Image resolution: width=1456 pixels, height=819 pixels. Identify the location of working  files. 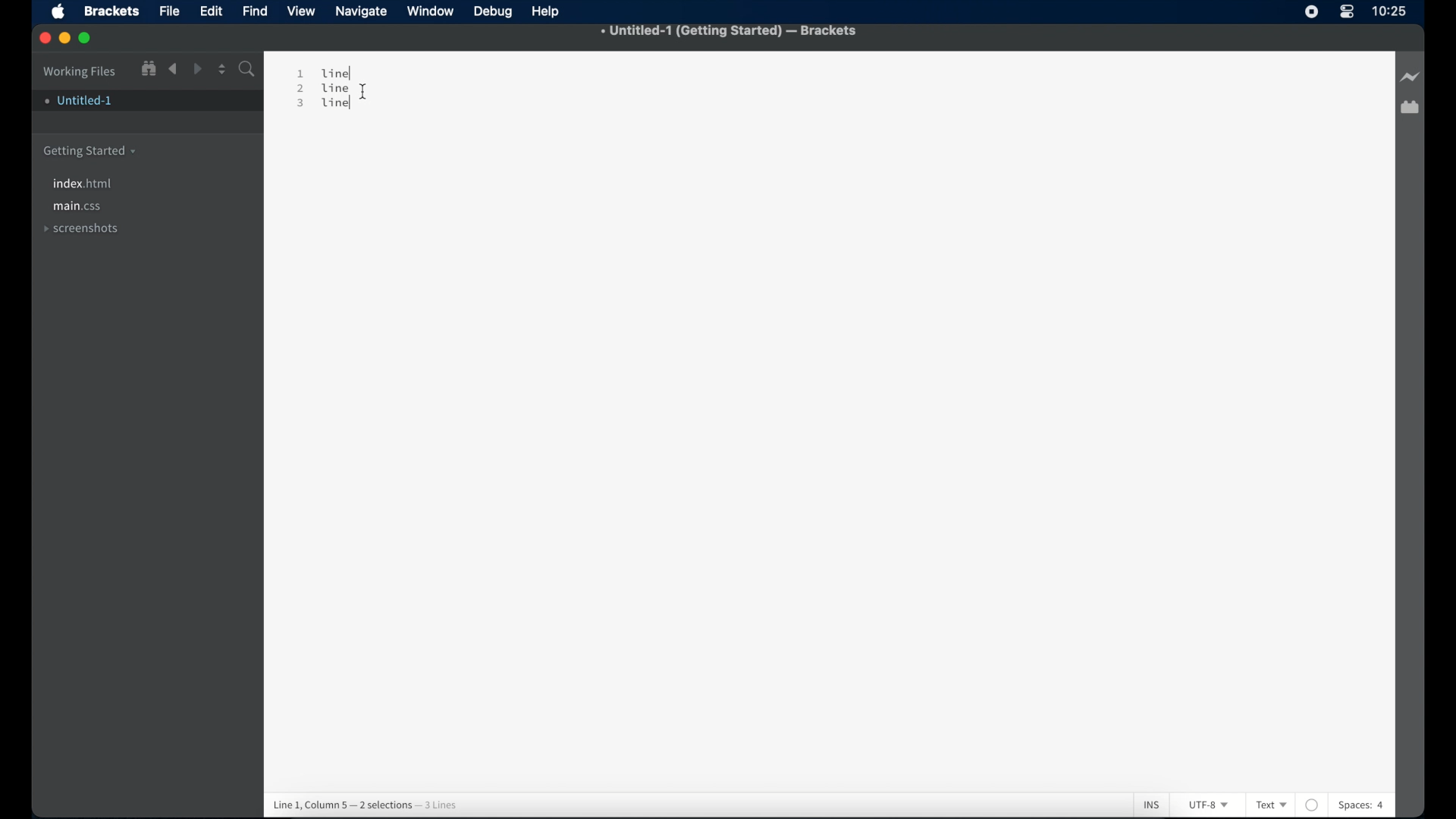
(80, 72).